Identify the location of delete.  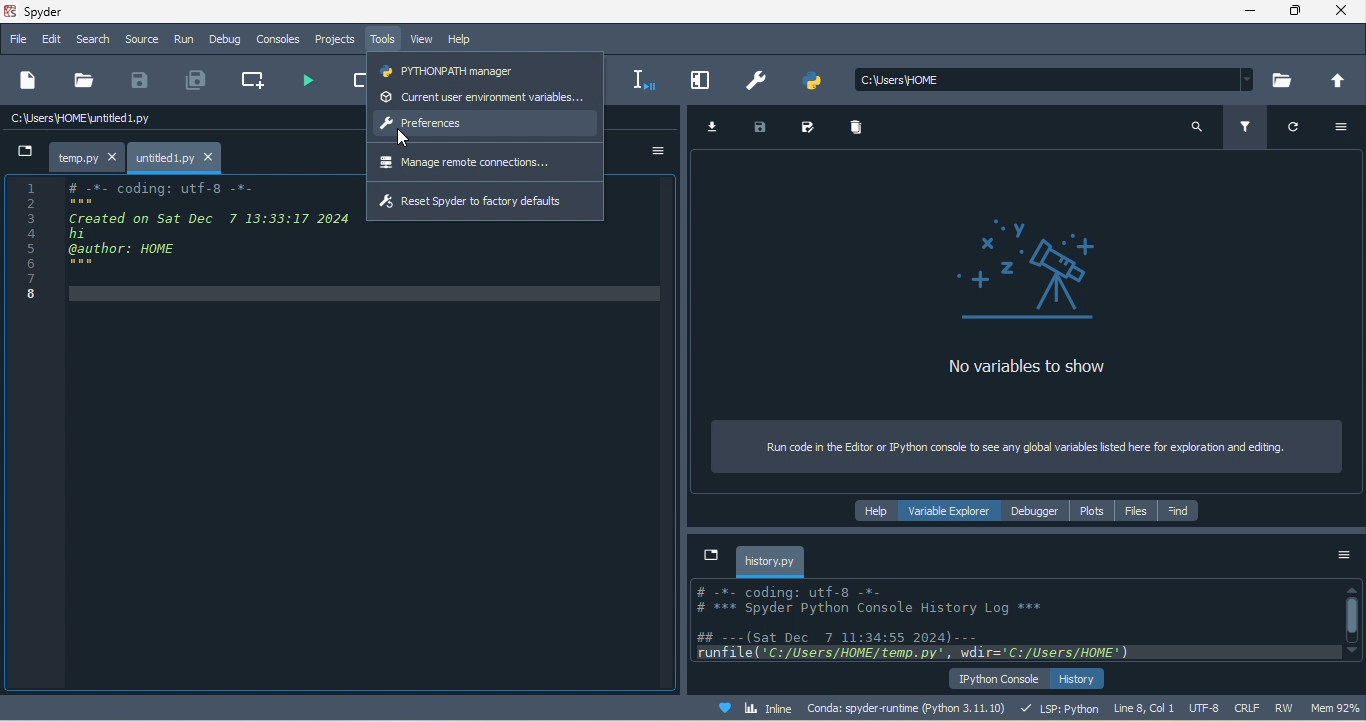
(863, 129).